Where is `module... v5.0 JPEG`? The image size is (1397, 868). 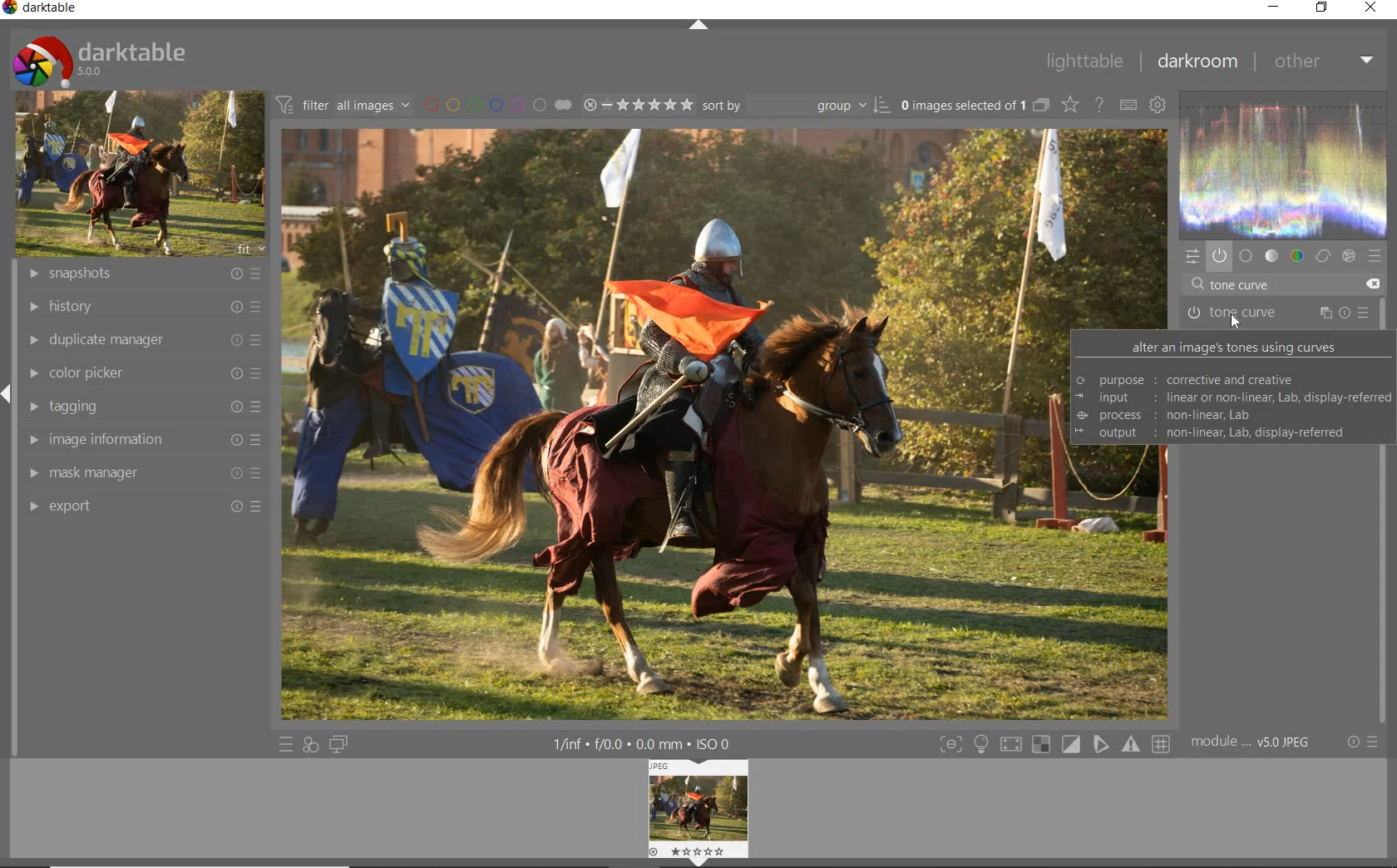
module... v5.0 JPEG is located at coordinates (1255, 742).